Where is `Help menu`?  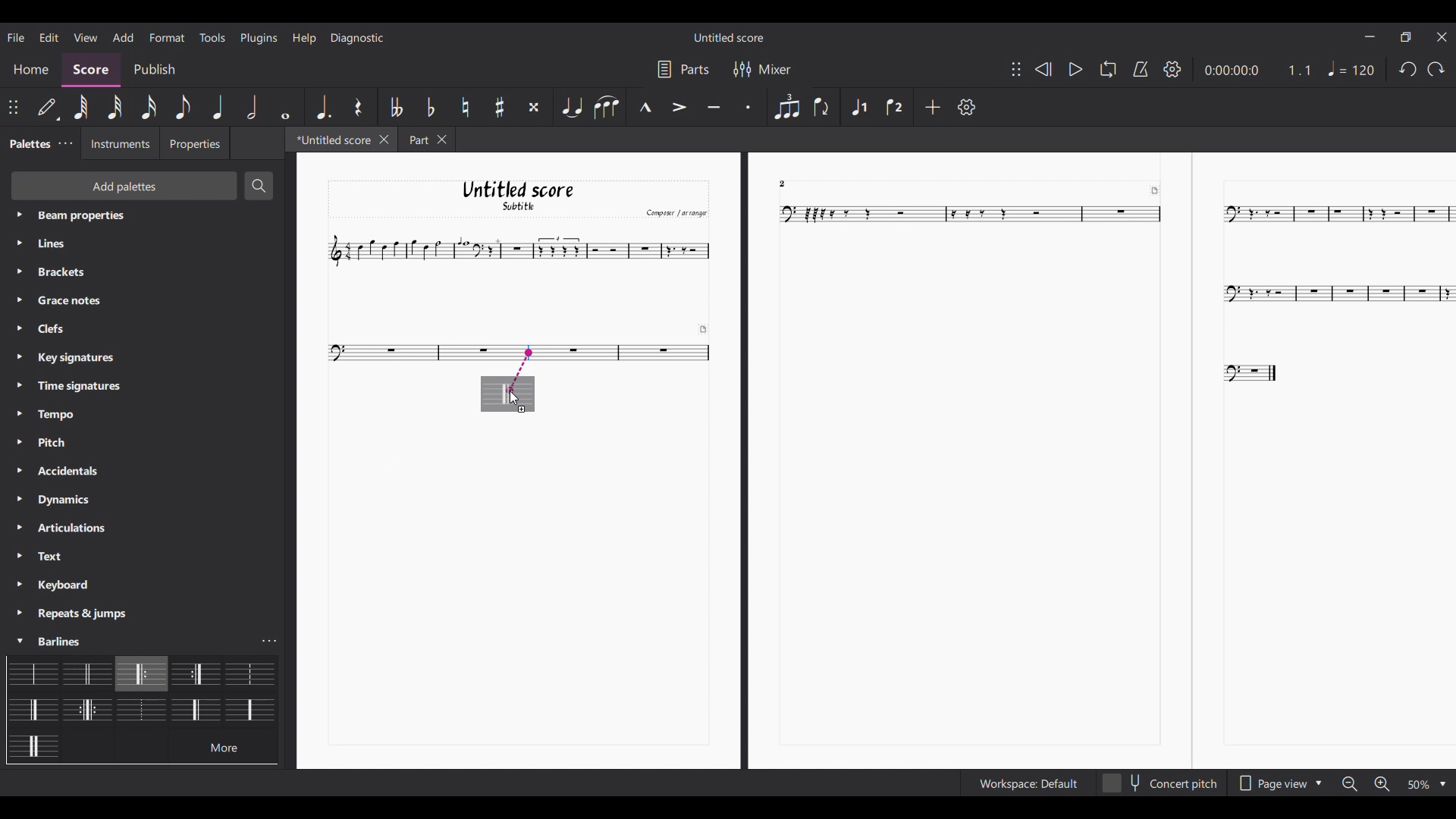
Help menu is located at coordinates (304, 38).